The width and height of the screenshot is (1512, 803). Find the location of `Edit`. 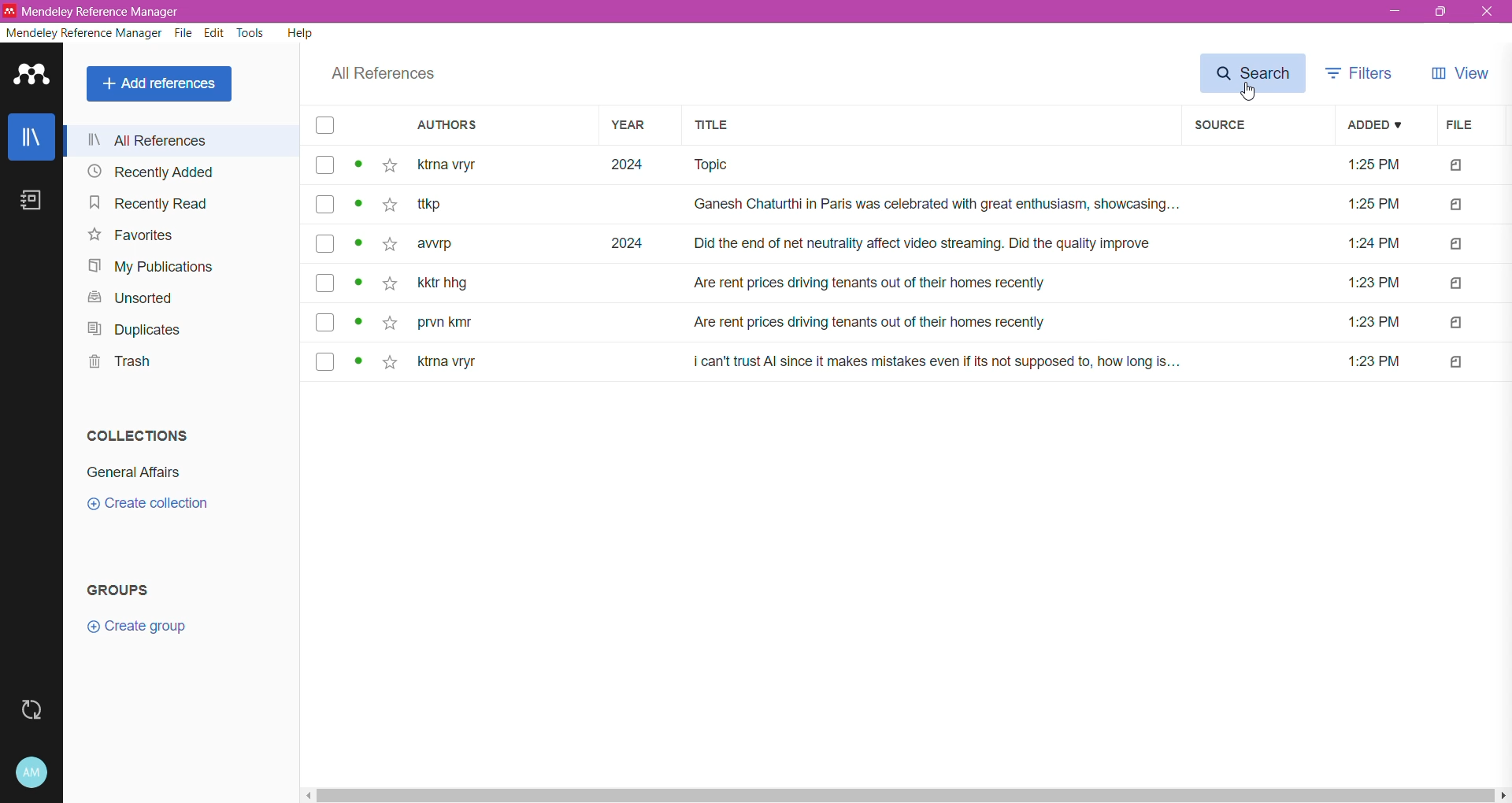

Edit is located at coordinates (214, 34).